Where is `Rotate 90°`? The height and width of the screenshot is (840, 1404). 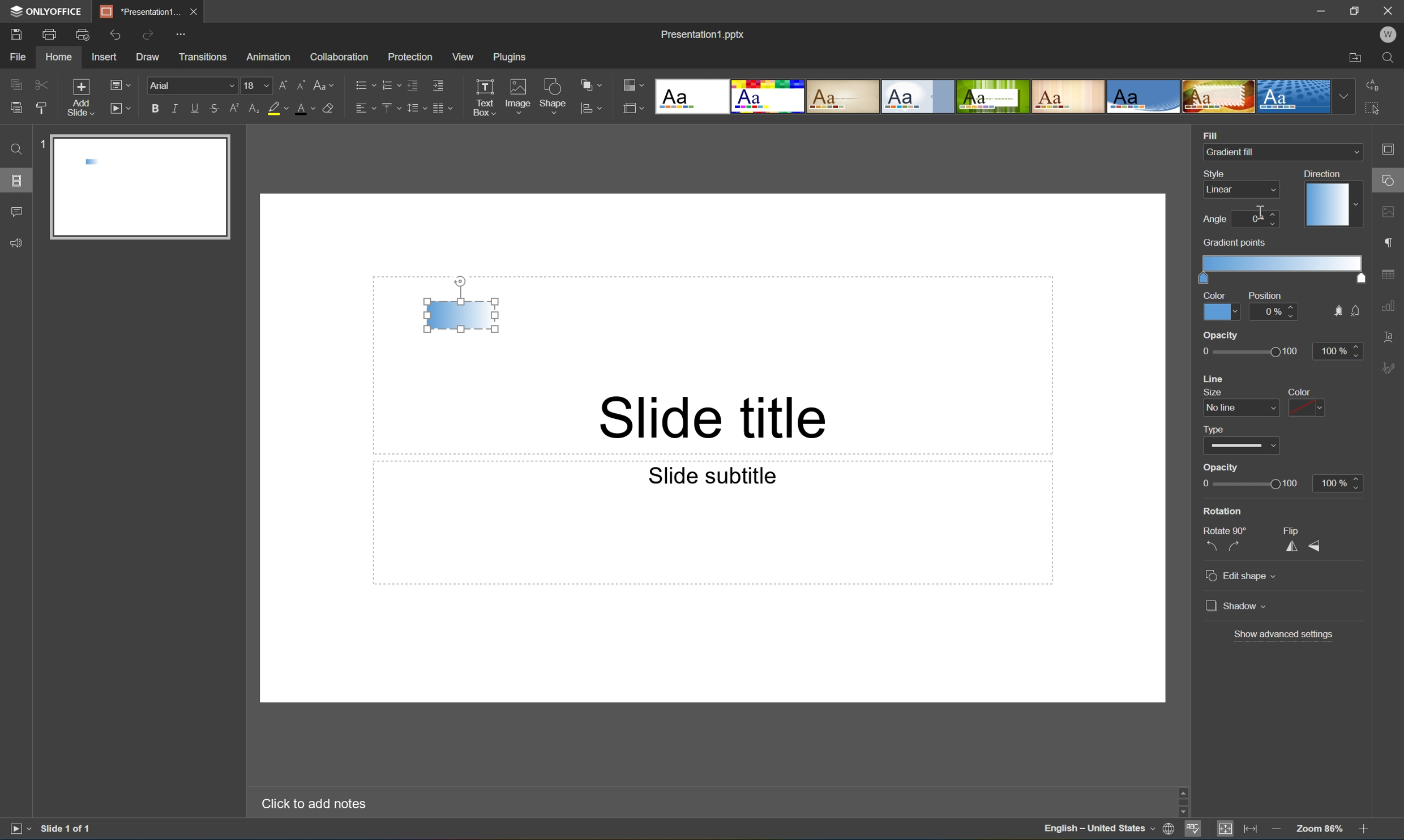 Rotate 90° is located at coordinates (1226, 529).